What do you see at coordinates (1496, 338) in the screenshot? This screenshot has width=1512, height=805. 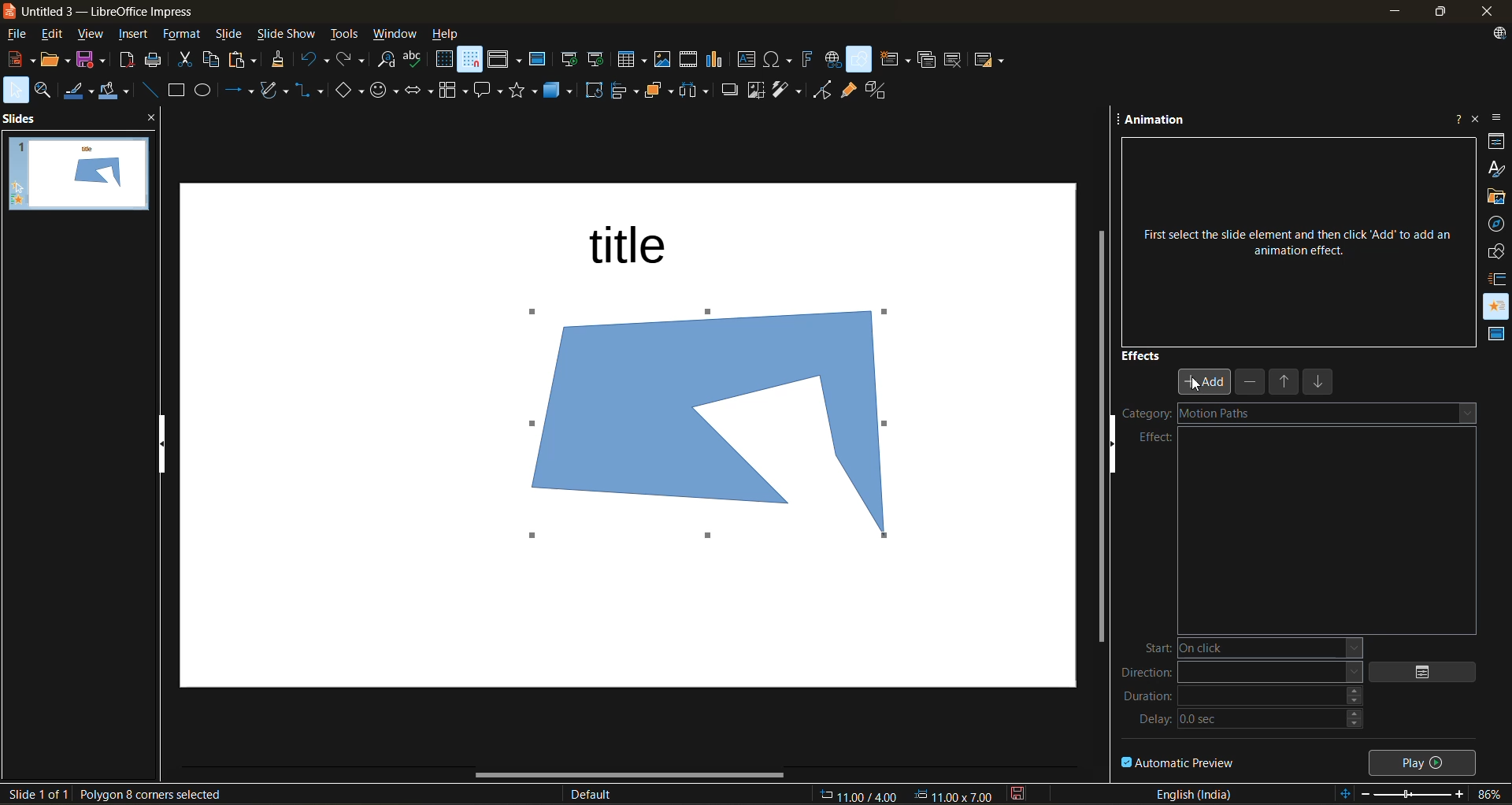 I see `master slides` at bounding box center [1496, 338].